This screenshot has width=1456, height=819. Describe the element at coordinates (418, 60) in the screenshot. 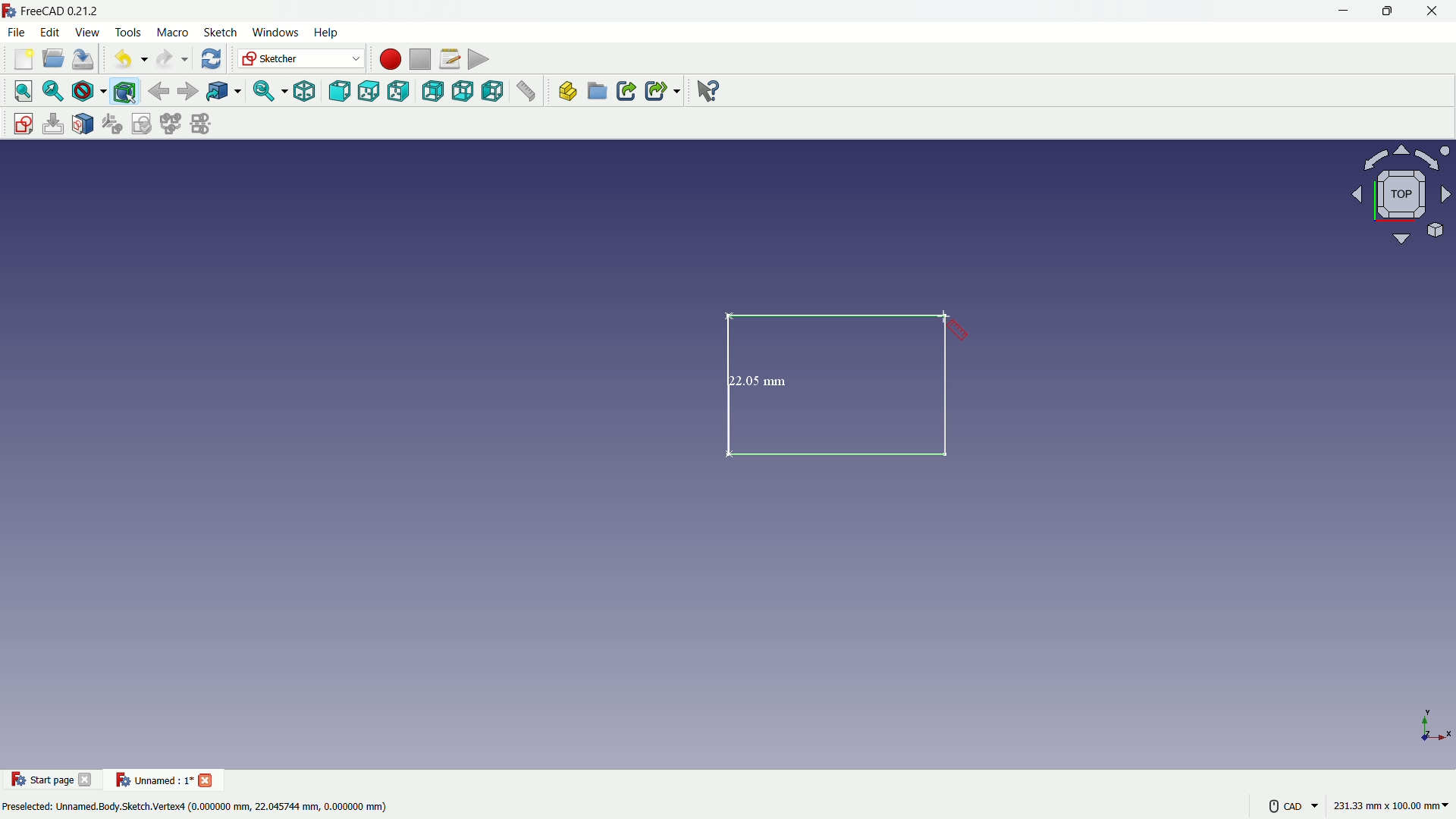

I see `stop macros` at that location.